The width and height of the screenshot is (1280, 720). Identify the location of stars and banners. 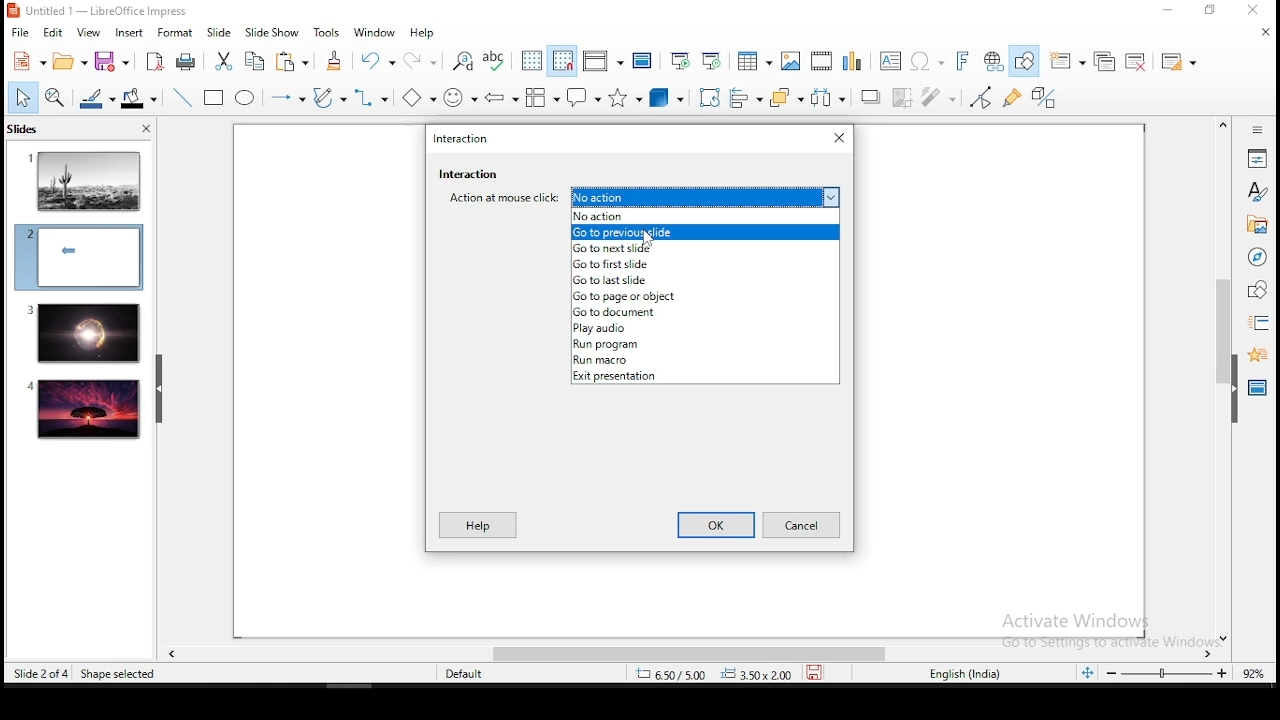
(626, 97).